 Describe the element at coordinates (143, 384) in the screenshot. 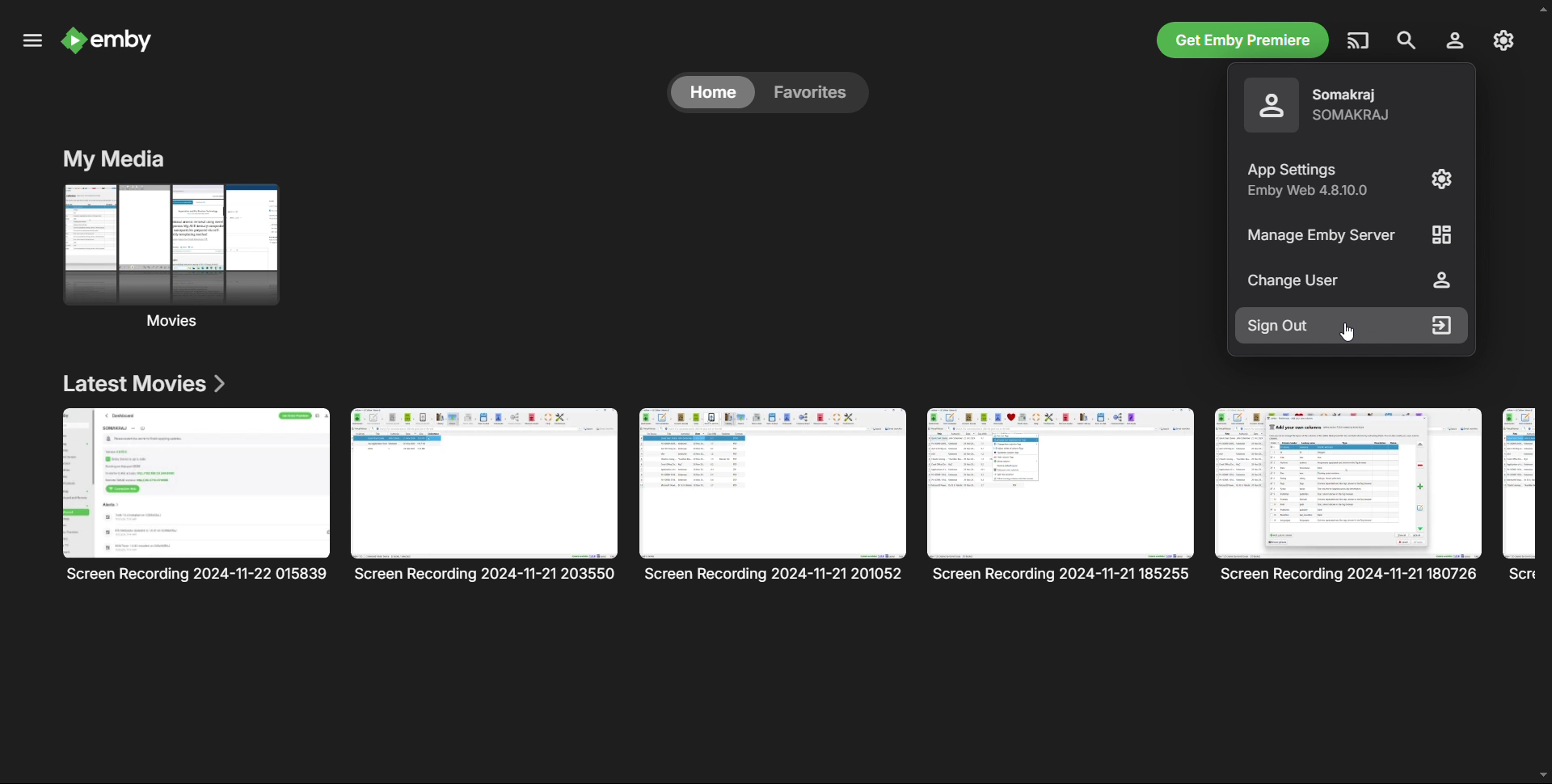

I see `latest movies` at that location.